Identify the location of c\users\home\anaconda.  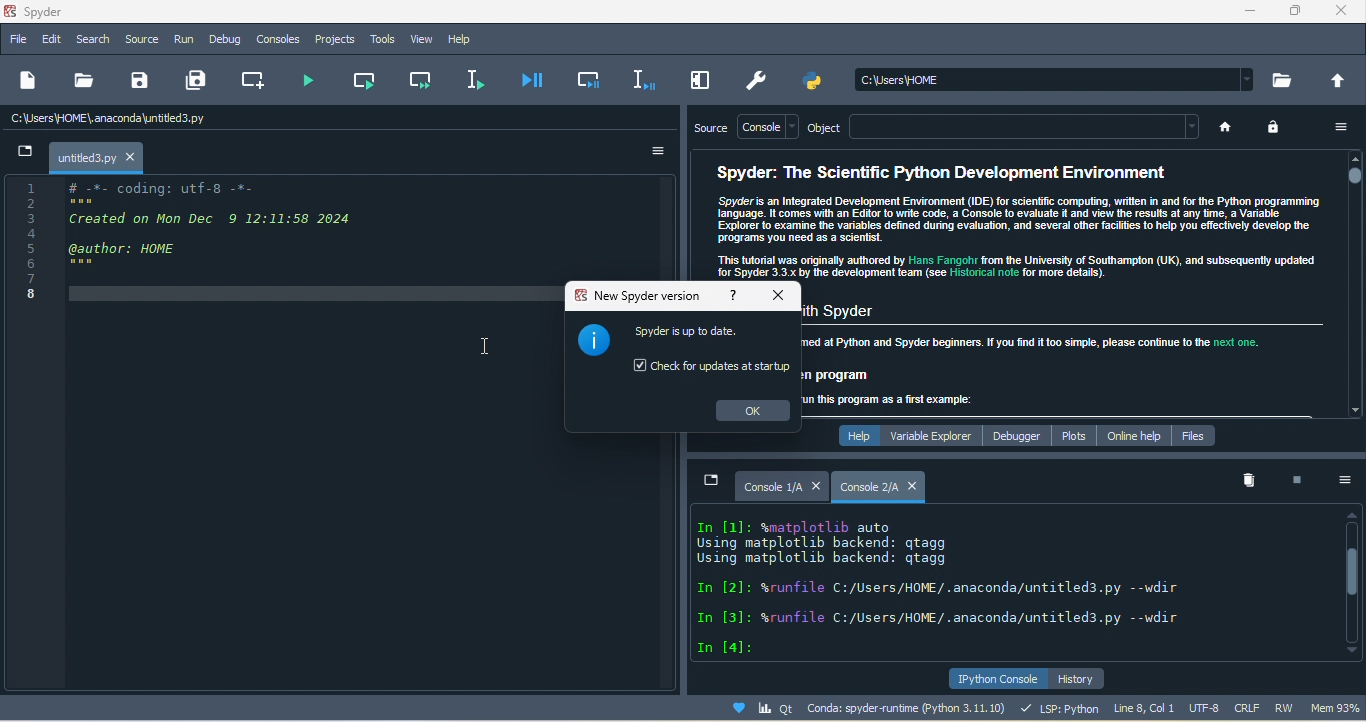
(117, 119).